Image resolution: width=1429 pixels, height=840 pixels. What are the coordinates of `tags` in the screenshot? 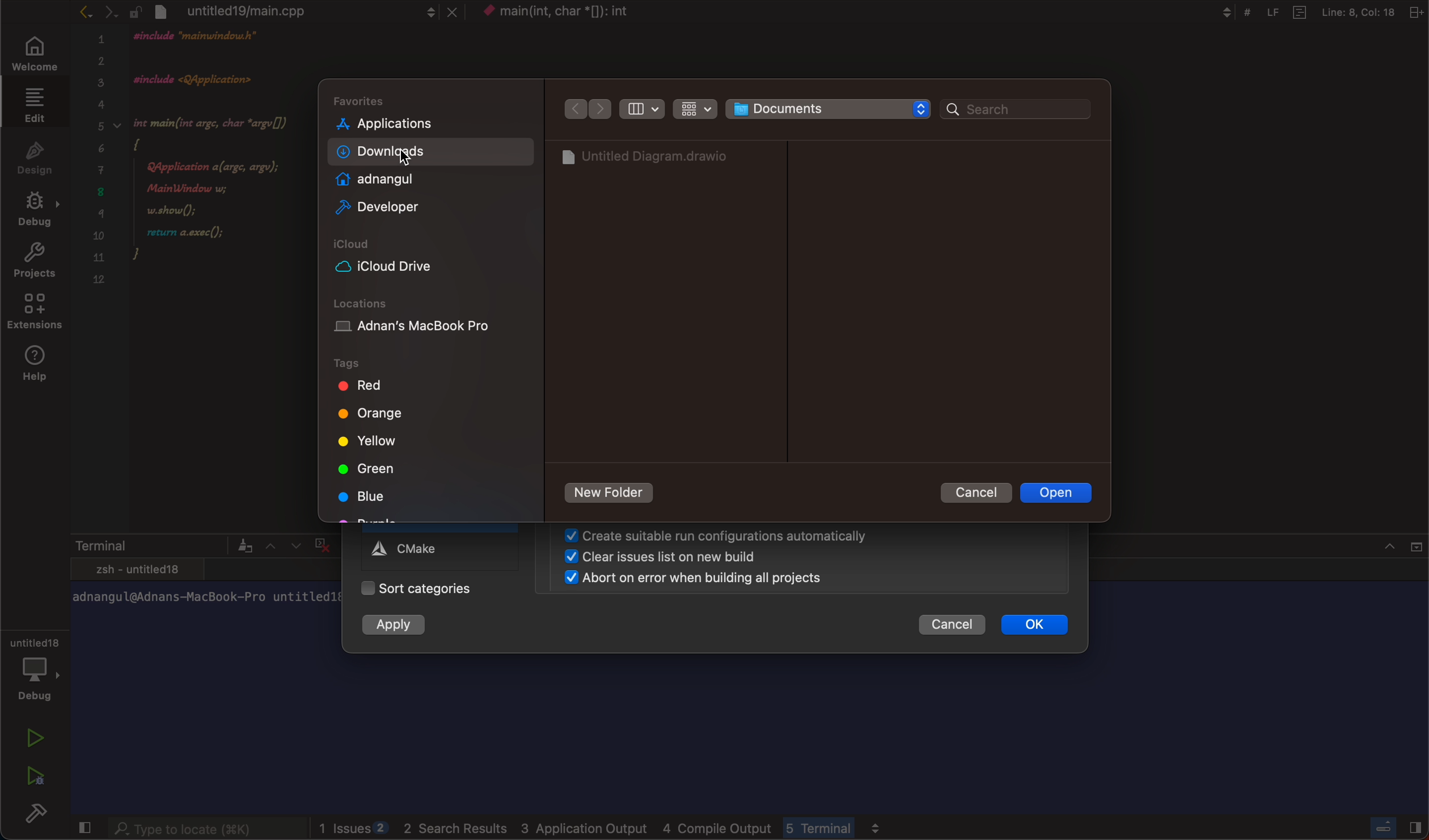 It's located at (425, 437).